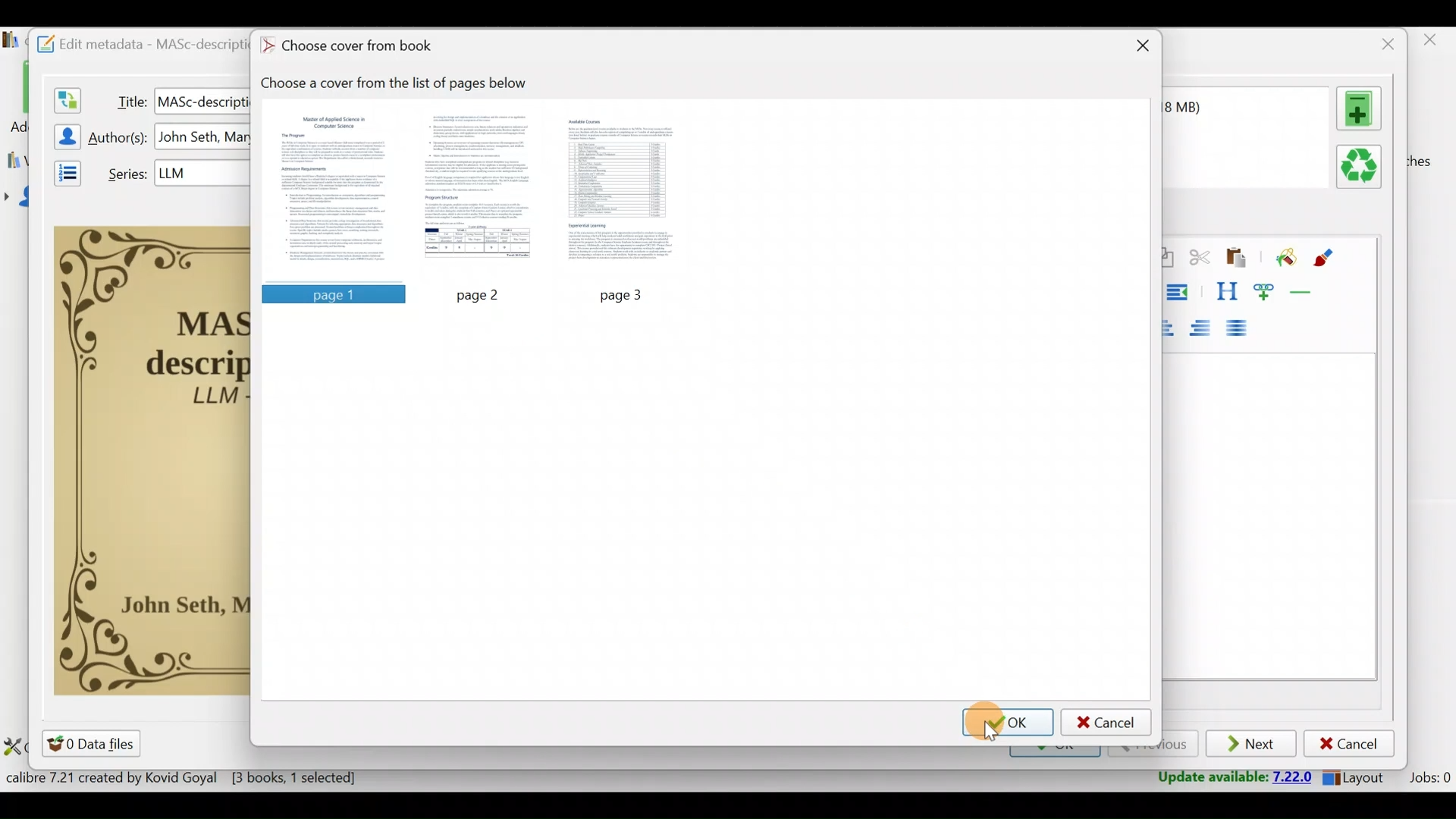 Image resolution: width=1456 pixels, height=819 pixels. I want to click on Foreground colour, so click(1326, 258).